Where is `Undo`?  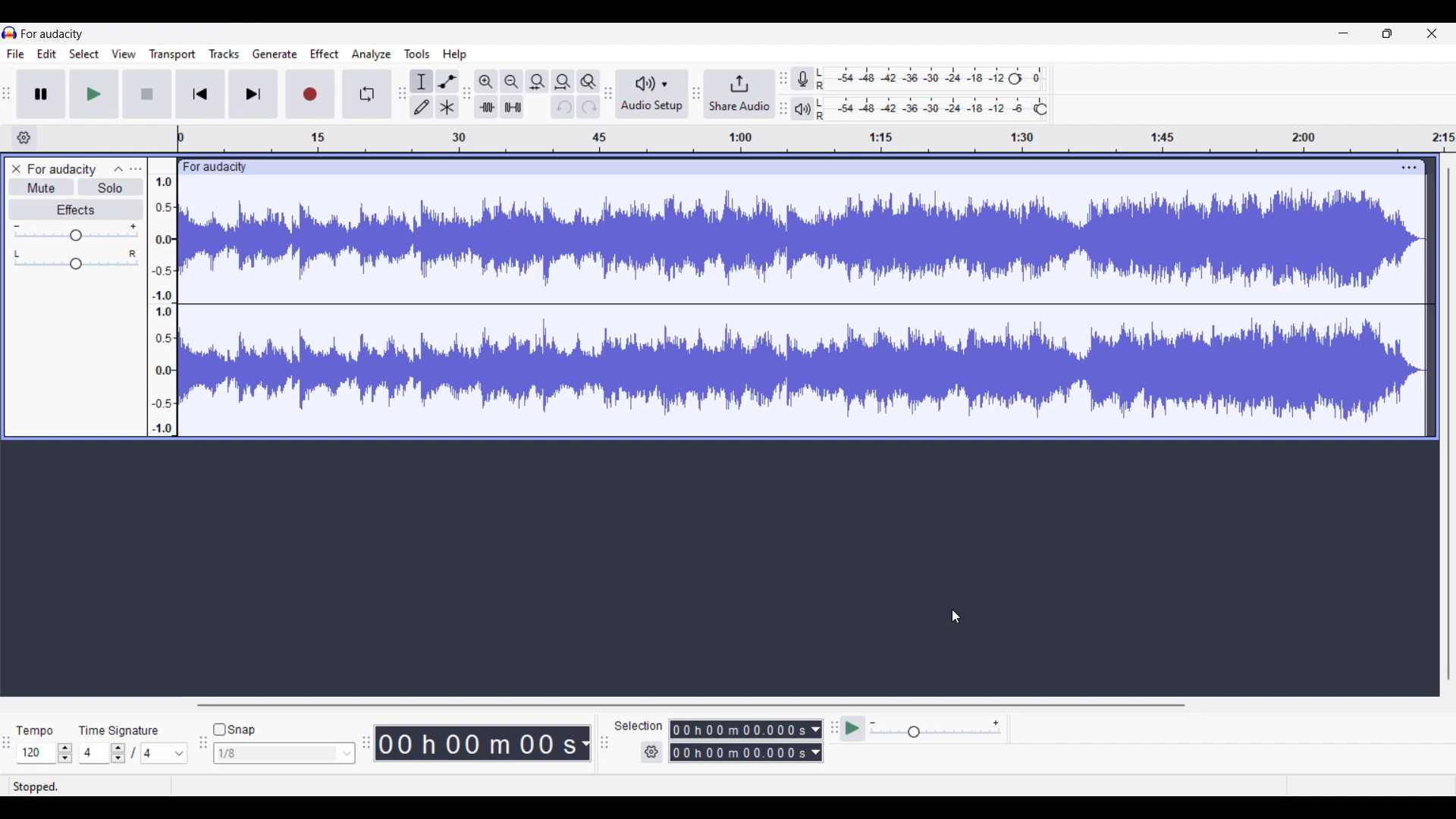
Undo is located at coordinates (563, 107).